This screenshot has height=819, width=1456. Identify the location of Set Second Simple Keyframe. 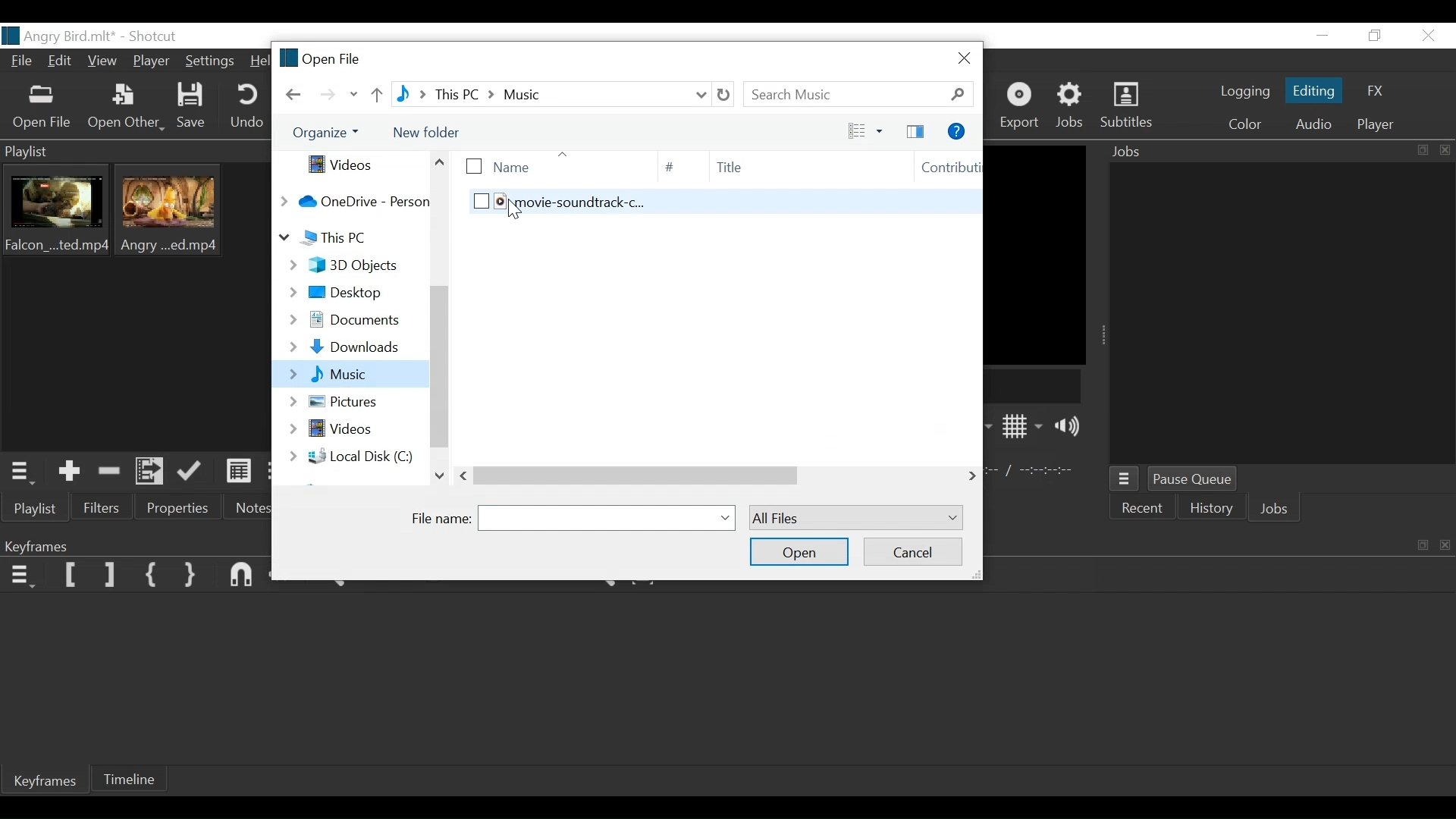
(189, 576).